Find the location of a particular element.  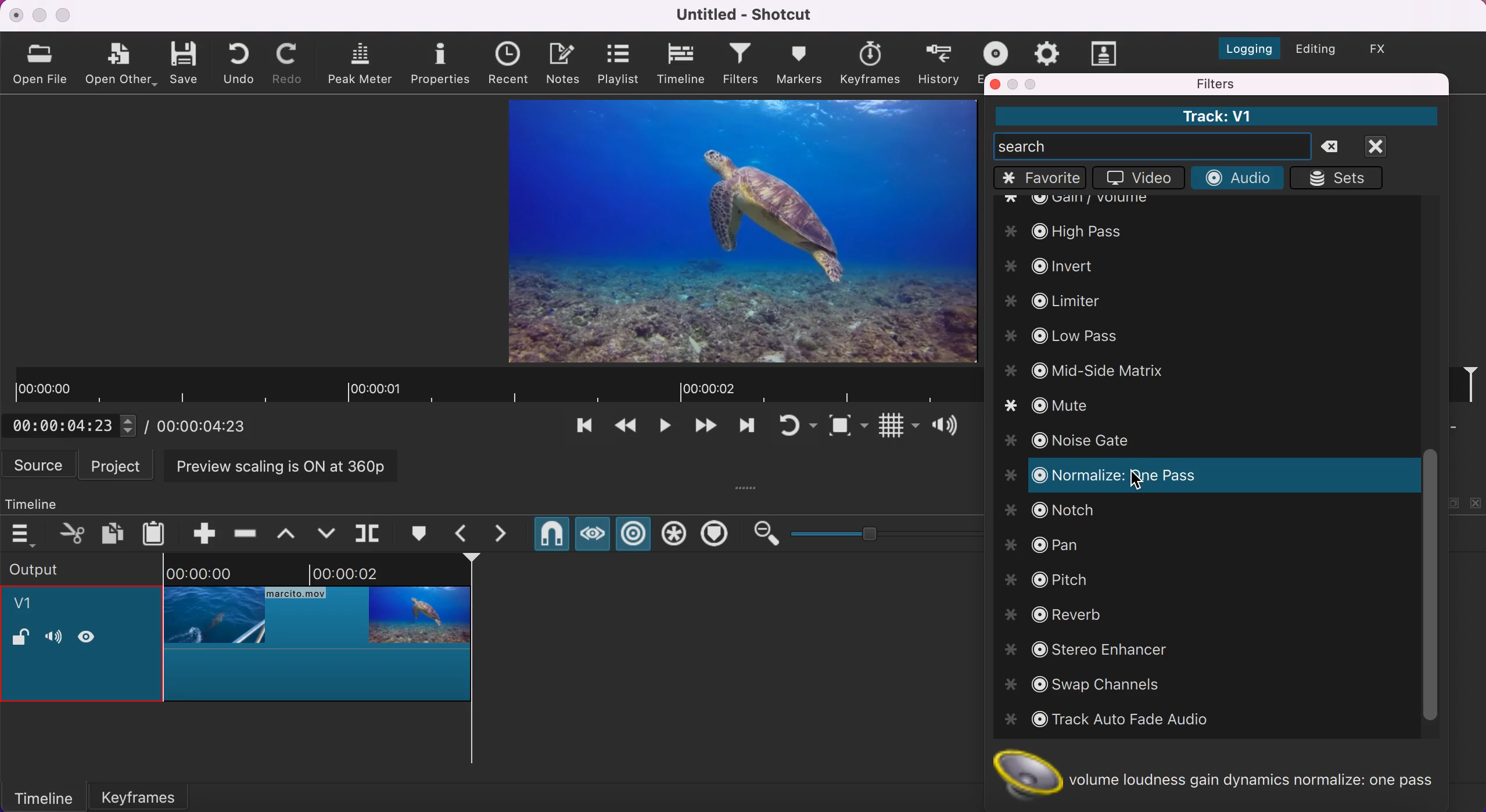

switch to the editing layout is located at coordinates (1314, 51).